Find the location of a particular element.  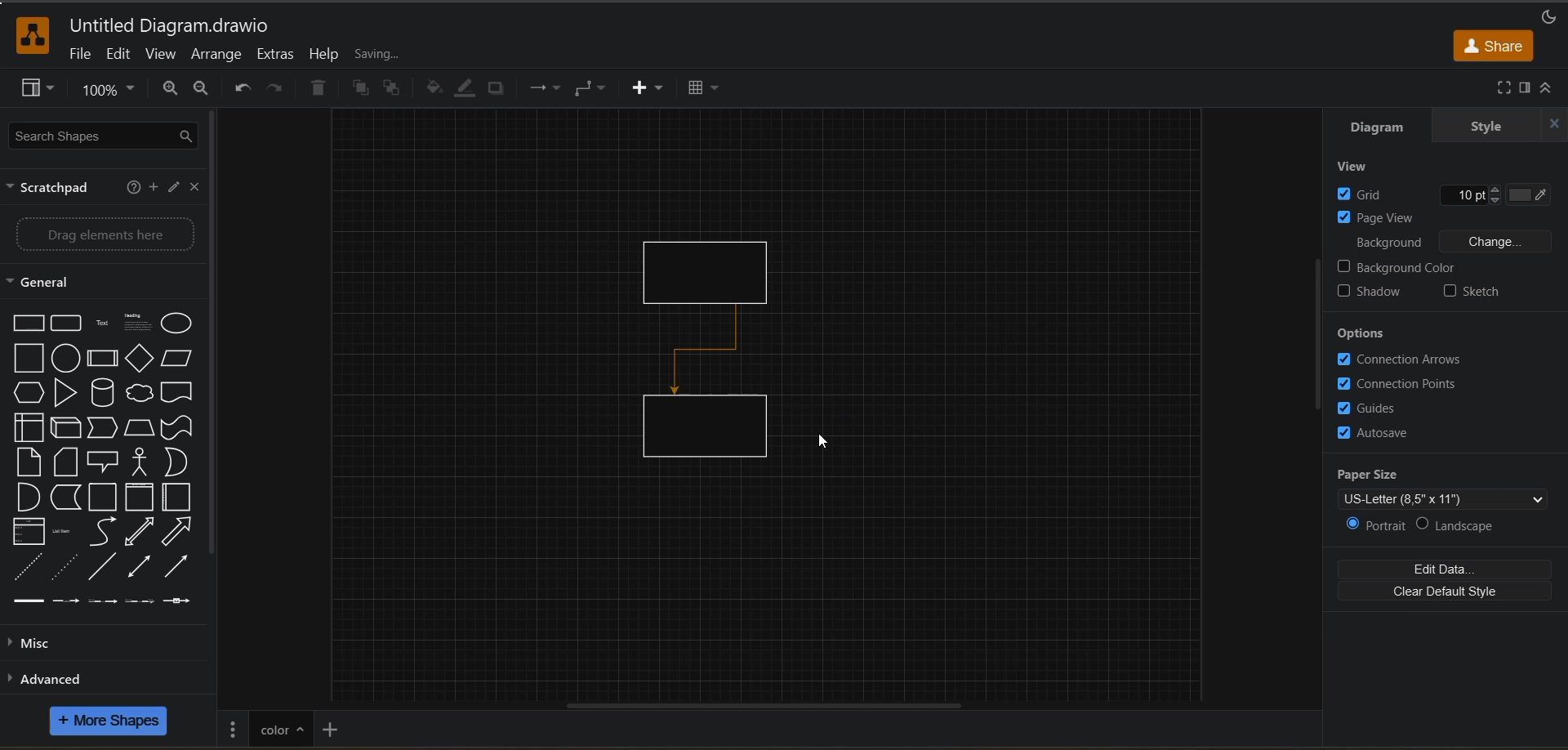

Change is located at coordinates (1495, 241).